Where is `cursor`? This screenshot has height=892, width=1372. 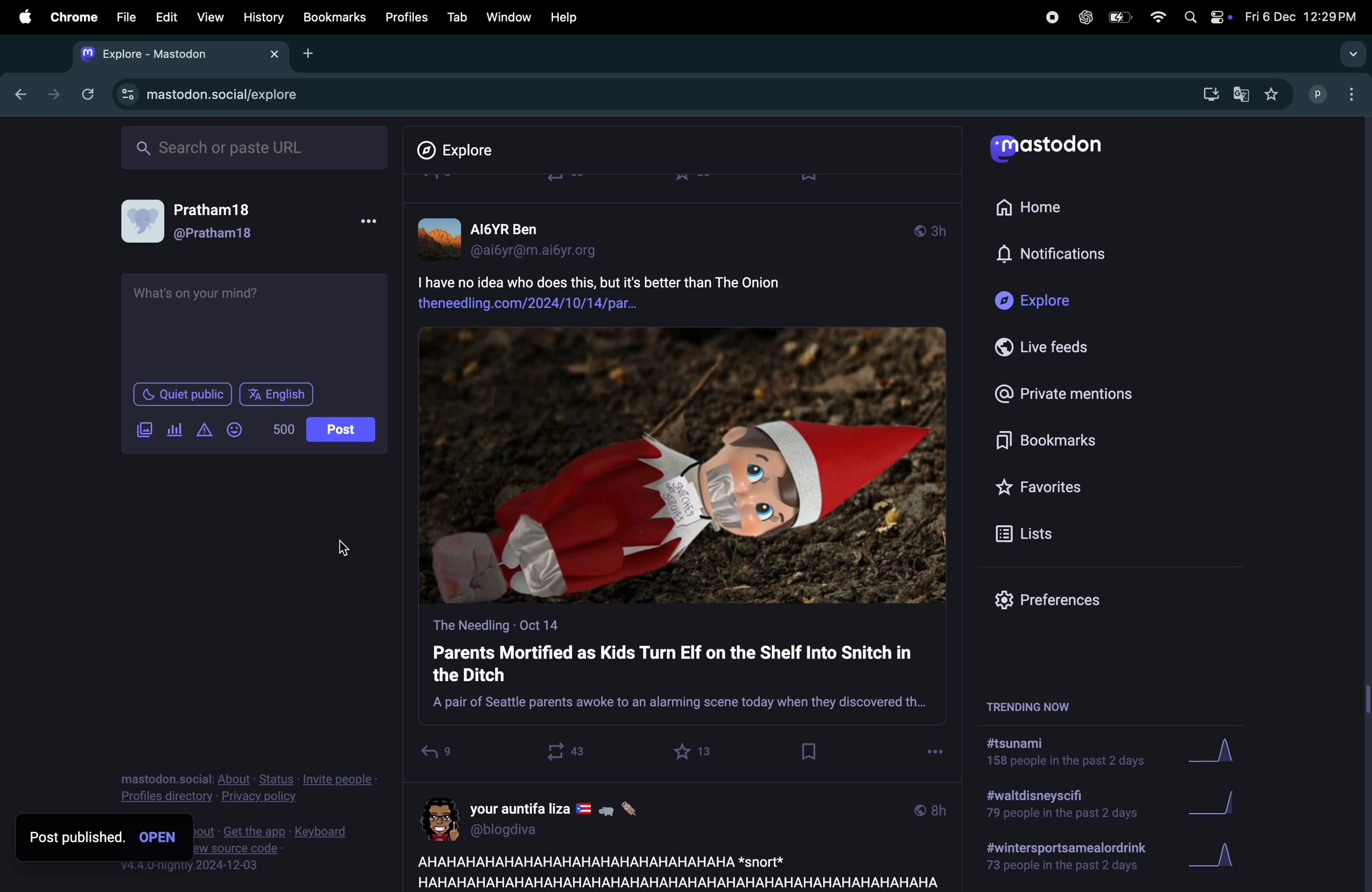
cursor is located at coordinates (452, 764).